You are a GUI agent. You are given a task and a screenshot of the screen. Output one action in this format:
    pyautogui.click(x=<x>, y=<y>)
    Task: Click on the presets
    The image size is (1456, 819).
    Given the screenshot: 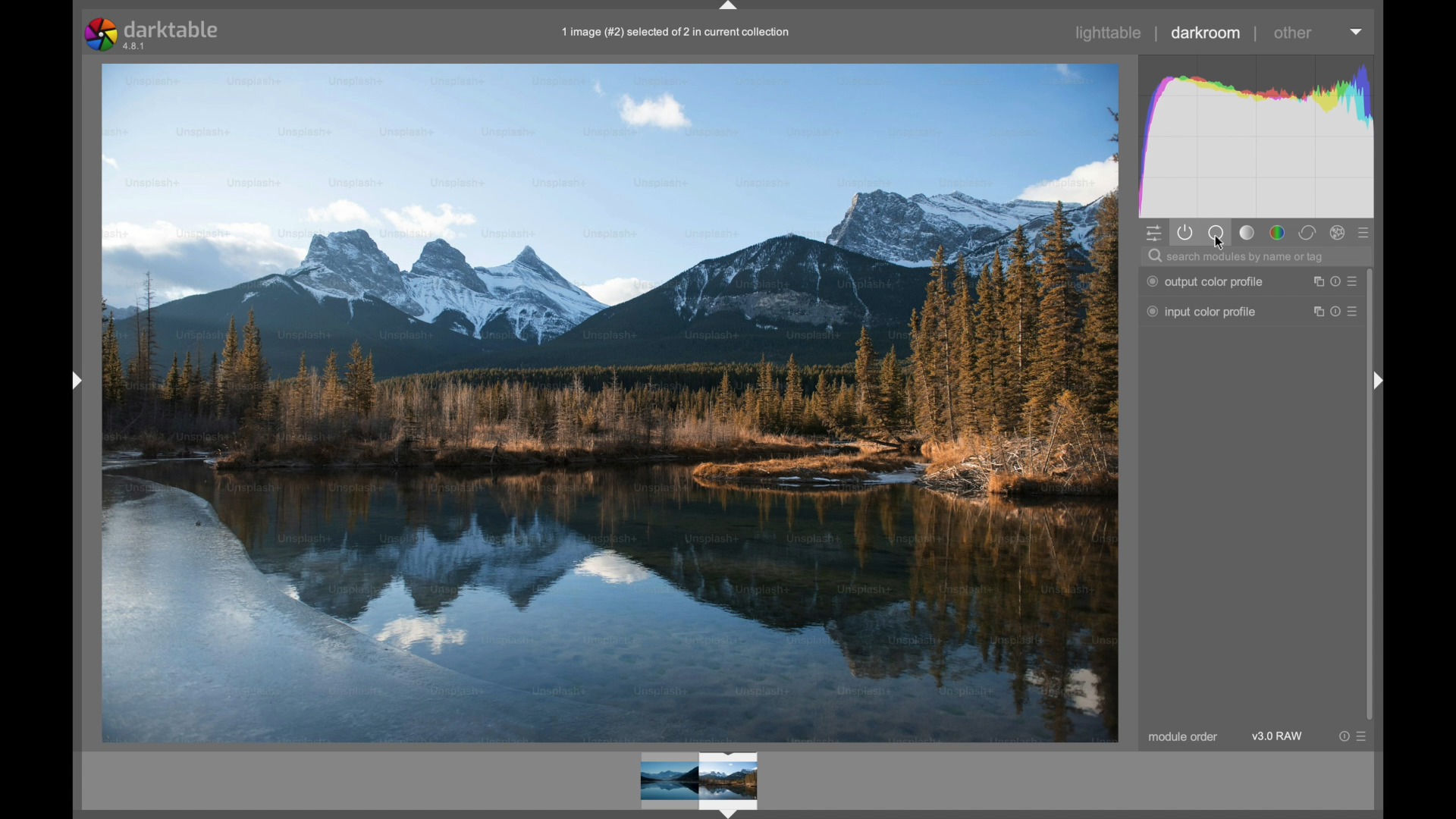 What is the action you would take?
    pyautogui.click(x=1367, y=737)
    